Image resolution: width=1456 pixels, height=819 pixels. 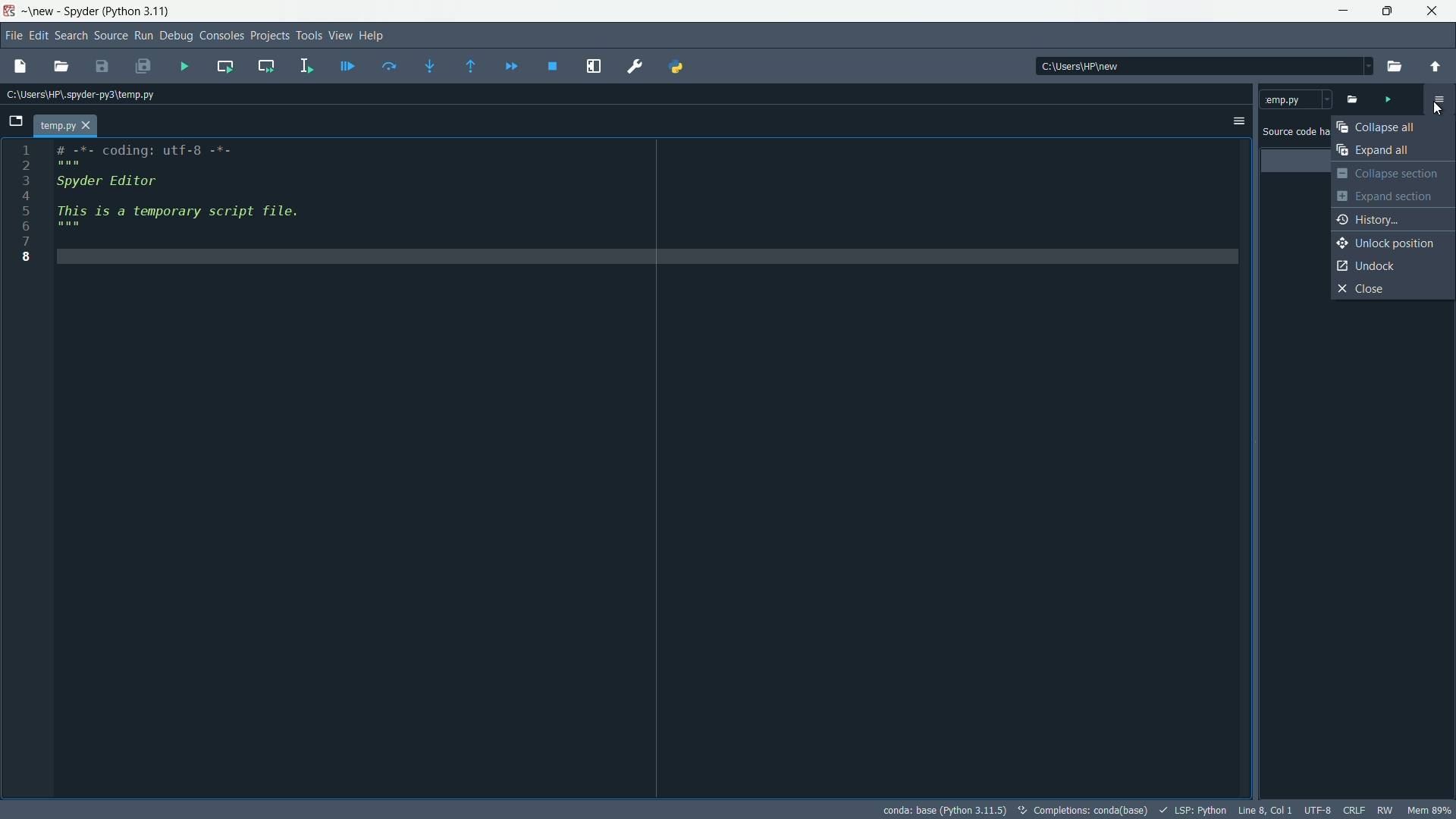 What do you see at coordinates (143, 67) in the screenshot?
I see `save all files` at bounding box center [143, 67].